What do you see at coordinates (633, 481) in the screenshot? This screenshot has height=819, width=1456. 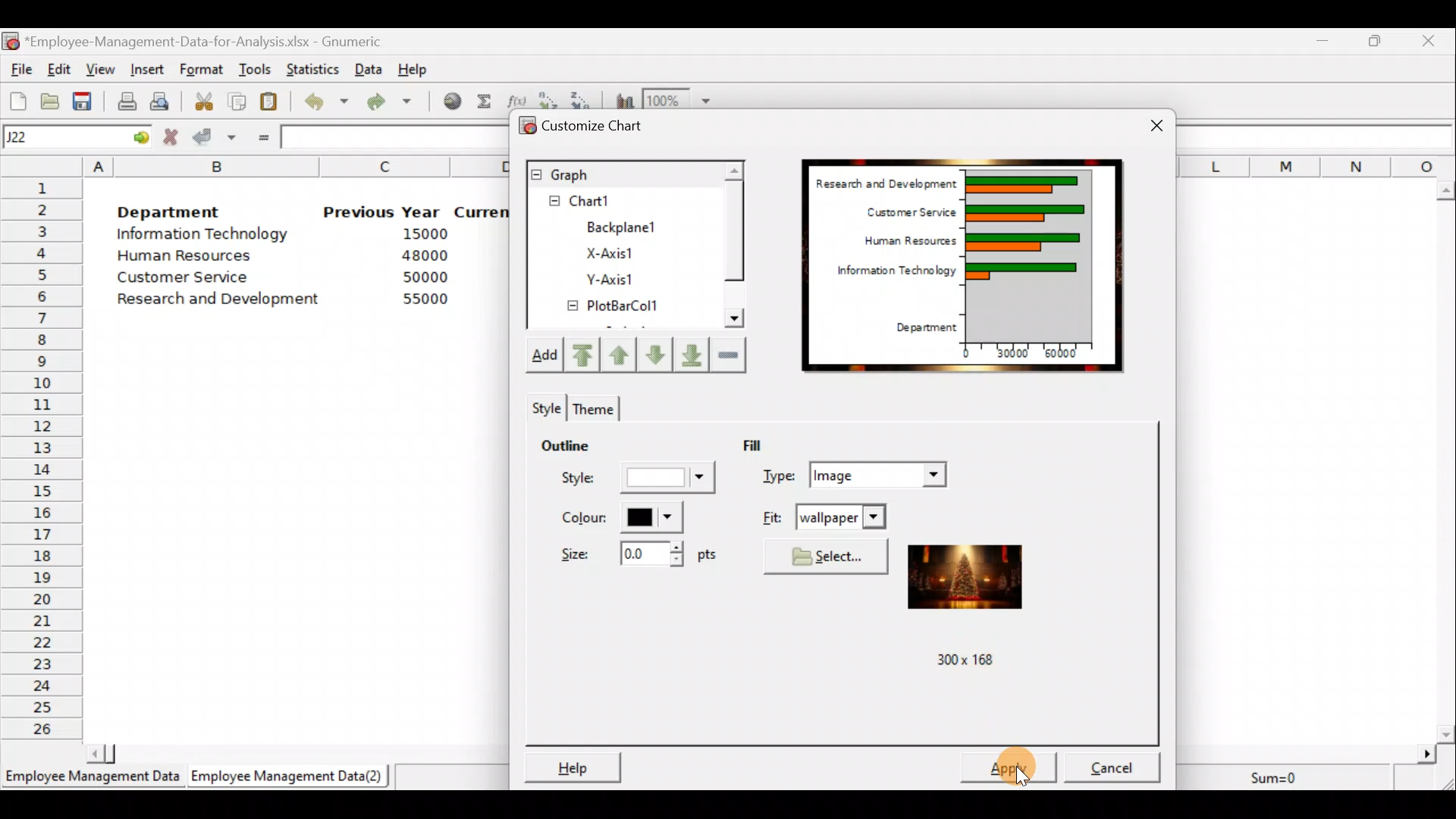 I see `Style` at bounding box center [633, 481].